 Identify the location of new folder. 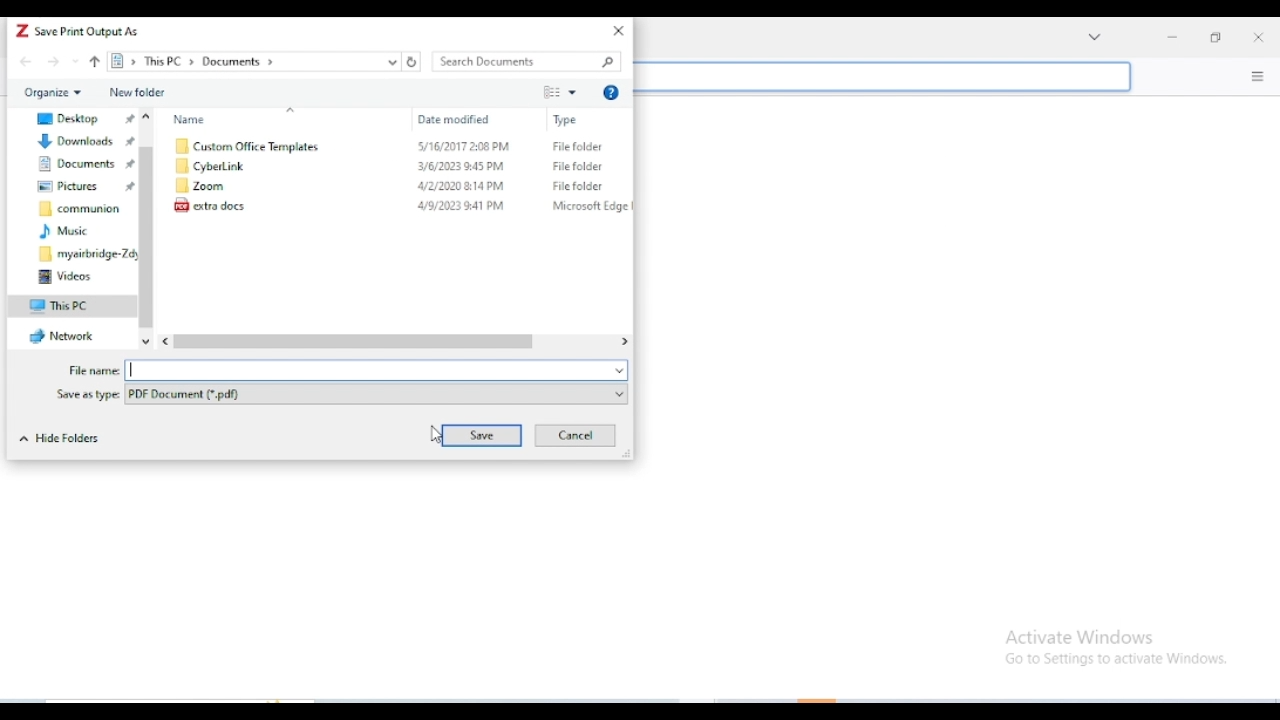
(138, 93).